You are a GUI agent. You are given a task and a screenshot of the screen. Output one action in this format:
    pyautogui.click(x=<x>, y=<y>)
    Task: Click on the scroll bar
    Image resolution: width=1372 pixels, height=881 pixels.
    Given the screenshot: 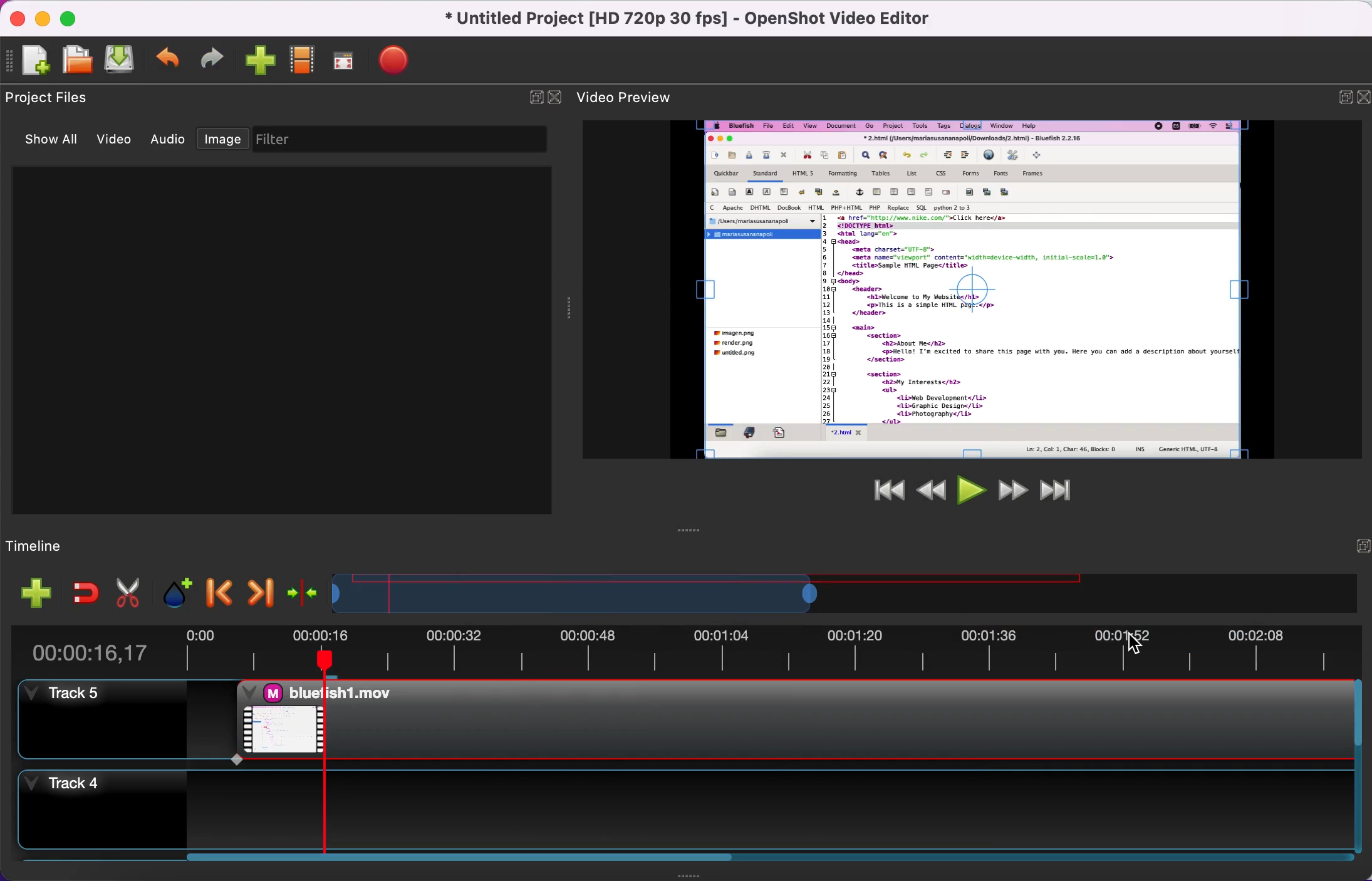 What is the action you would take?
    pyautogui.click(x=456, y=864)
    